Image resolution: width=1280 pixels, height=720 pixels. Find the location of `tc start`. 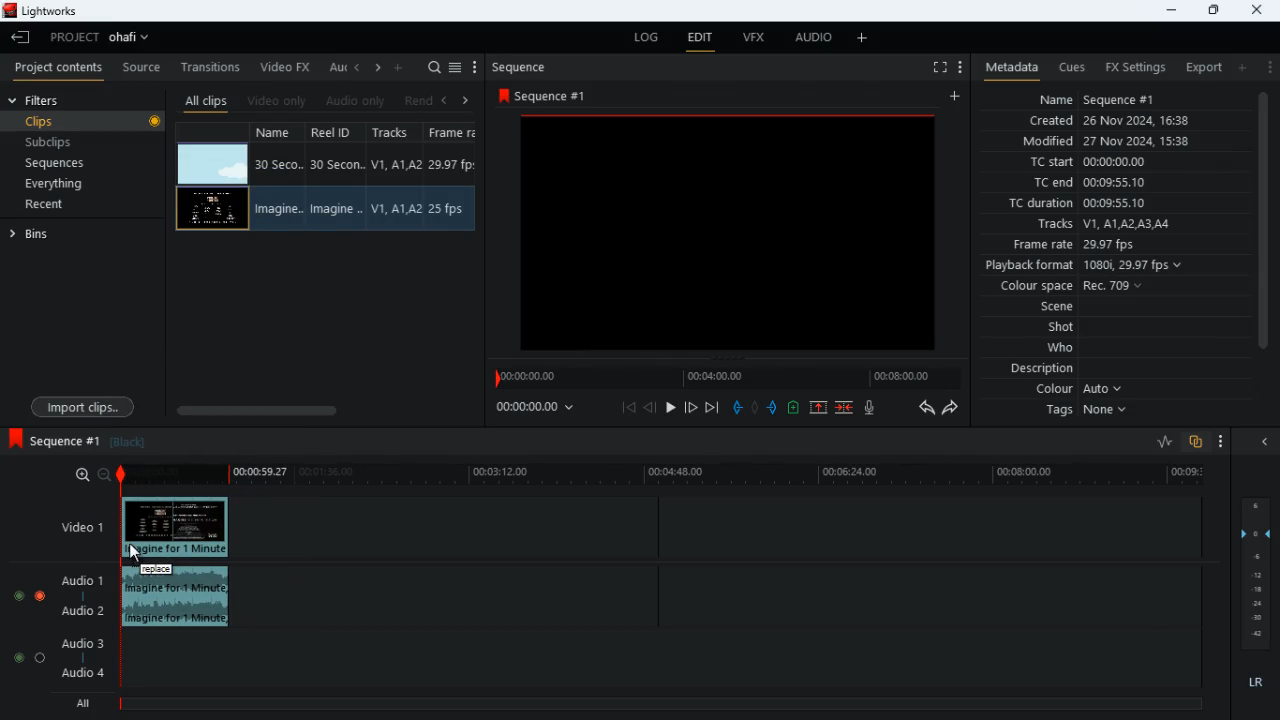

tc start is located at coordinates (1091, 162).